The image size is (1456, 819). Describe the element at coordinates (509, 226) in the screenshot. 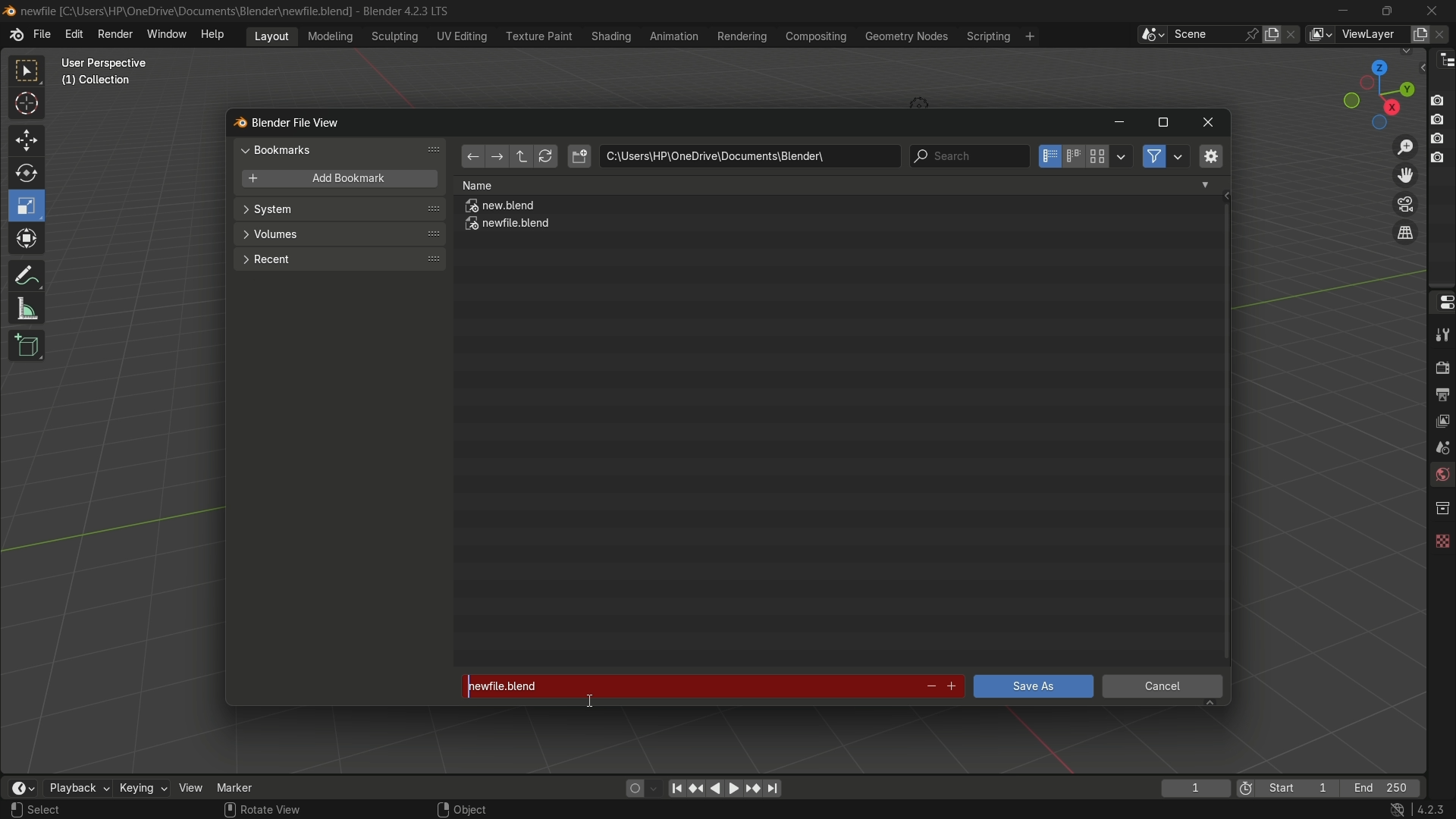

I see `newfile.blend file` at that location.